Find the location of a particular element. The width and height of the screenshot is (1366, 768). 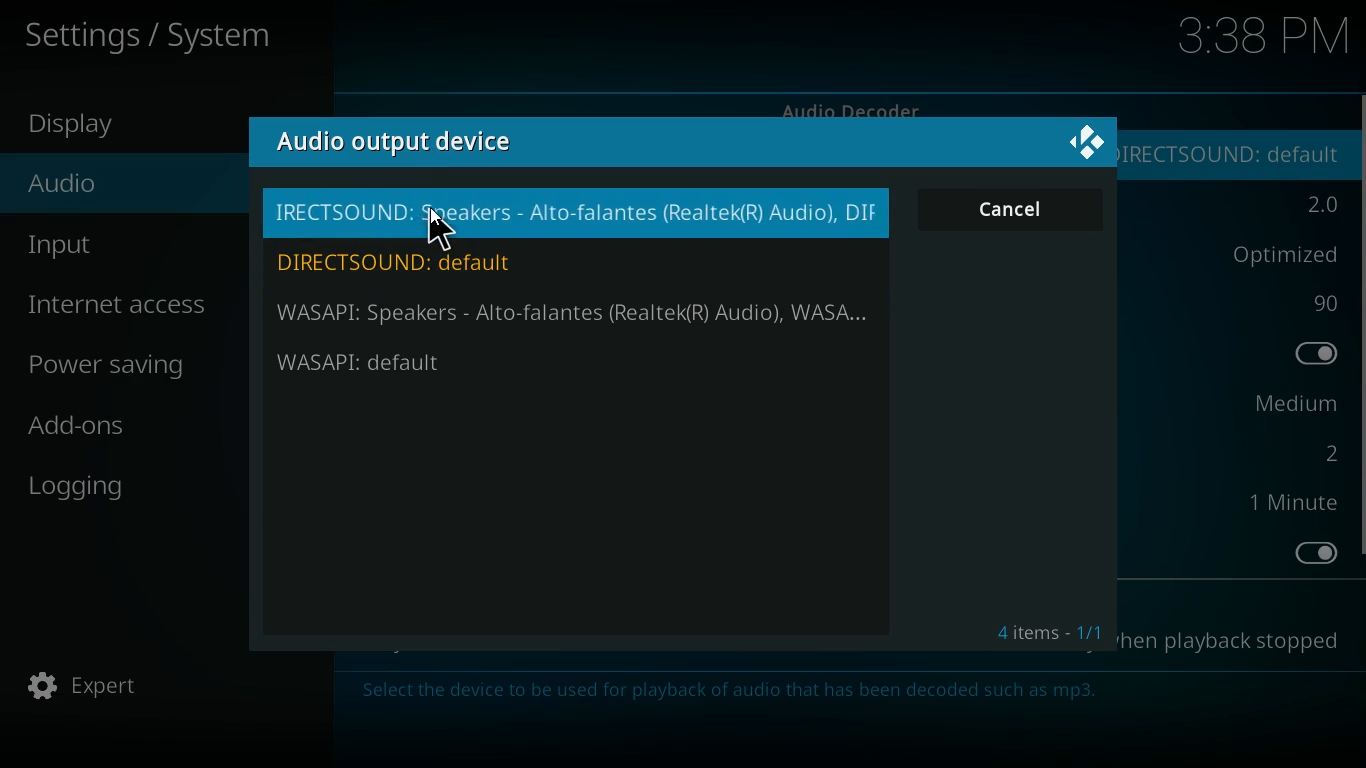

options is located at coordinates (1241, 641).